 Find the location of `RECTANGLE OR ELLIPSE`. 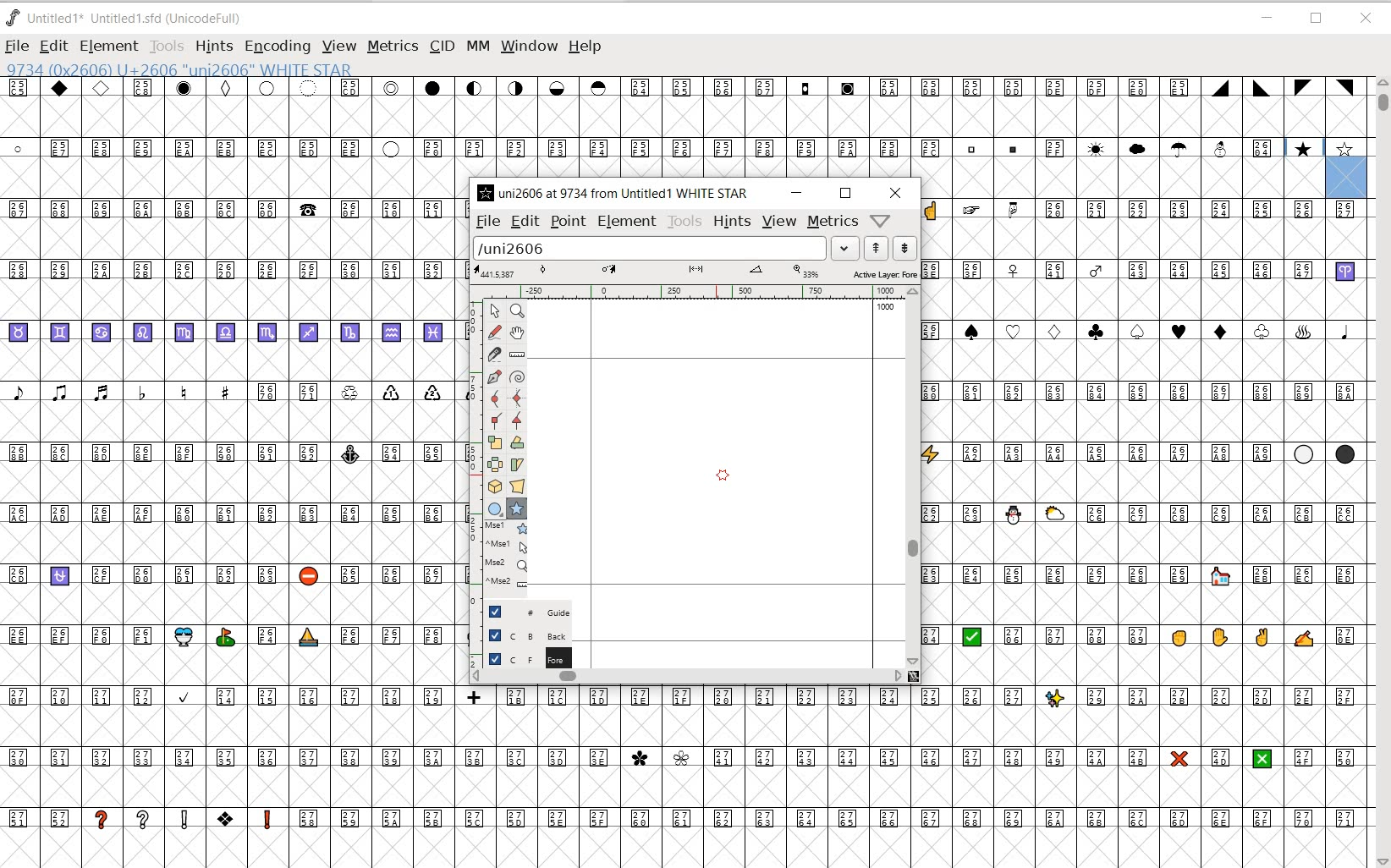

RECTANGLE OR ELLIPSE is located at coordinates (497, 509).